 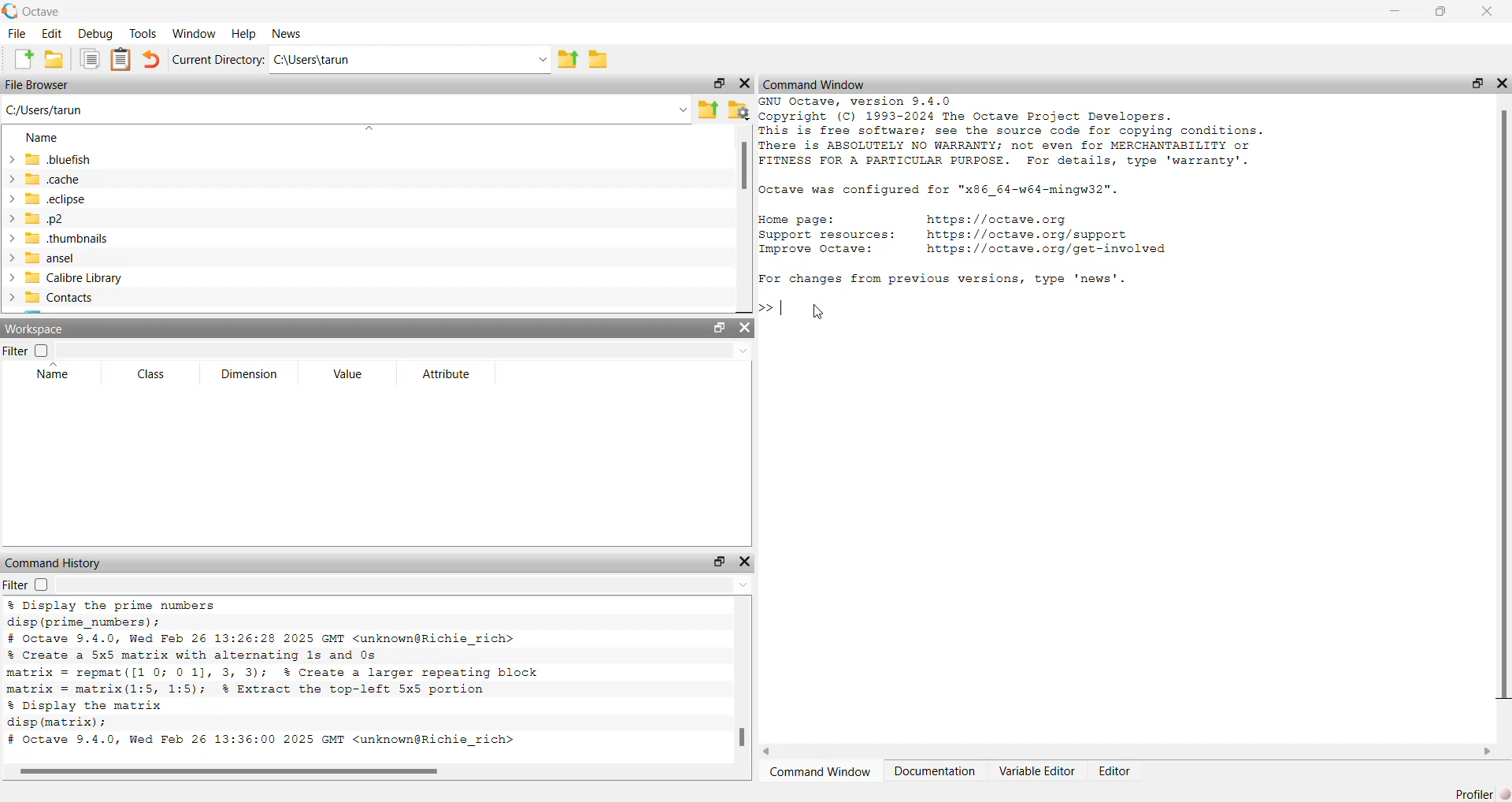 I want to click on scrollbar, so click(x=740, y=740).